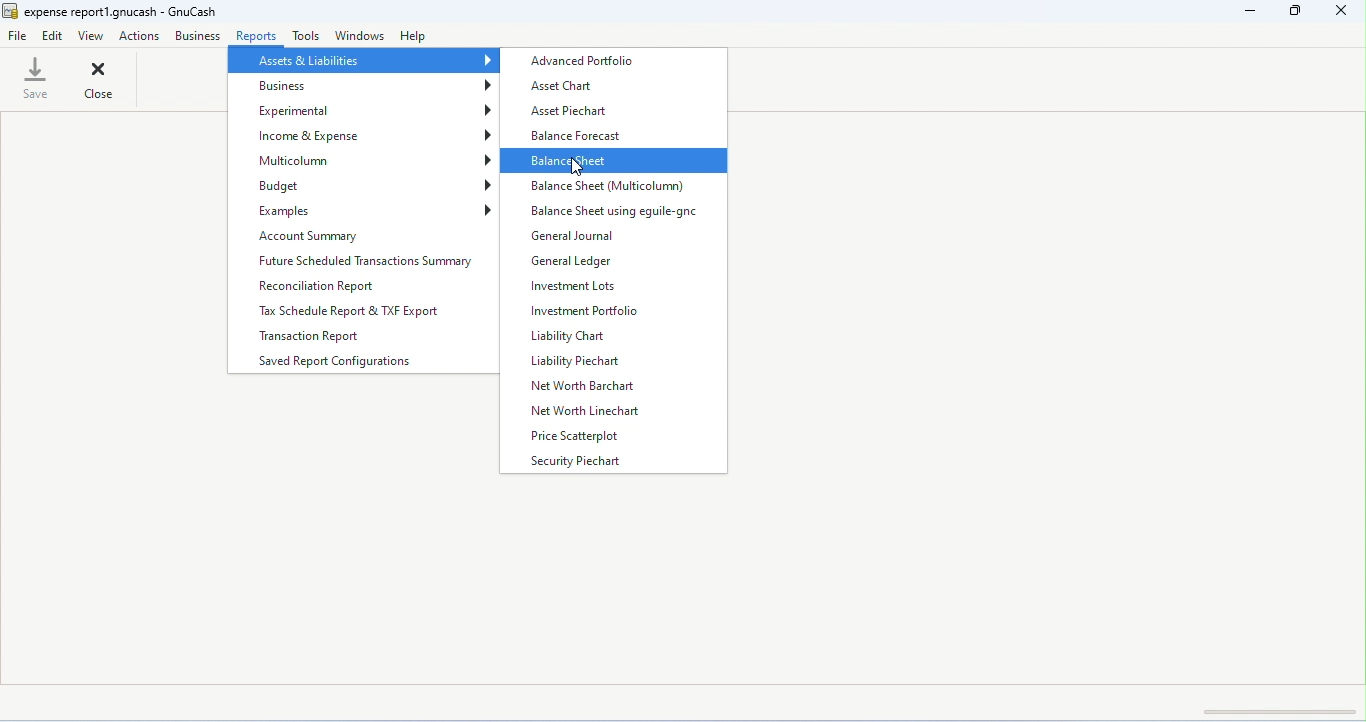  Describe the element at coordinates (1341, 12) in the screenshot. I see `close` at that location.